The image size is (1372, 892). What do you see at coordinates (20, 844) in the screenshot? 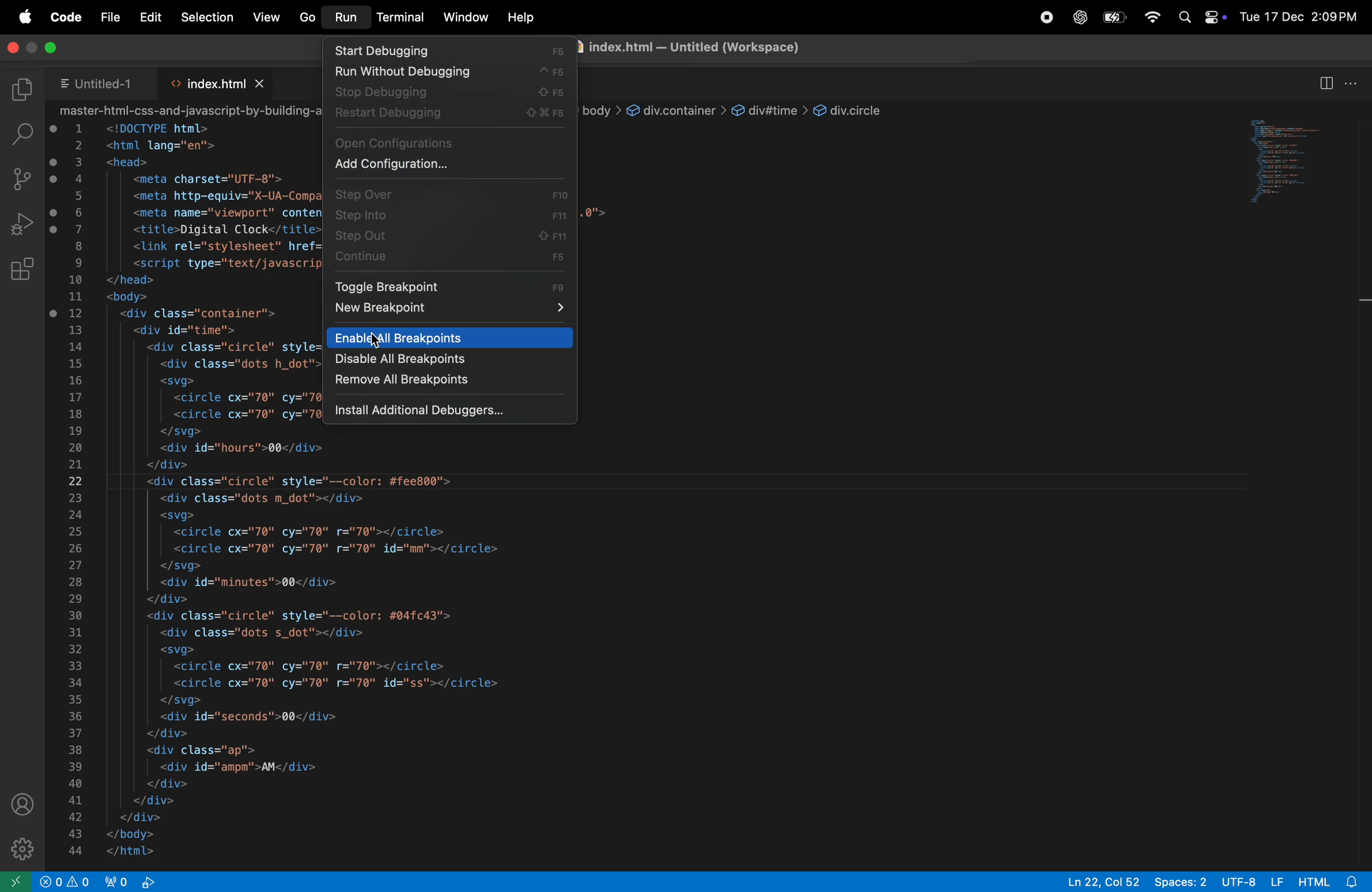
I see `settings` at bounding box center [20, 844].